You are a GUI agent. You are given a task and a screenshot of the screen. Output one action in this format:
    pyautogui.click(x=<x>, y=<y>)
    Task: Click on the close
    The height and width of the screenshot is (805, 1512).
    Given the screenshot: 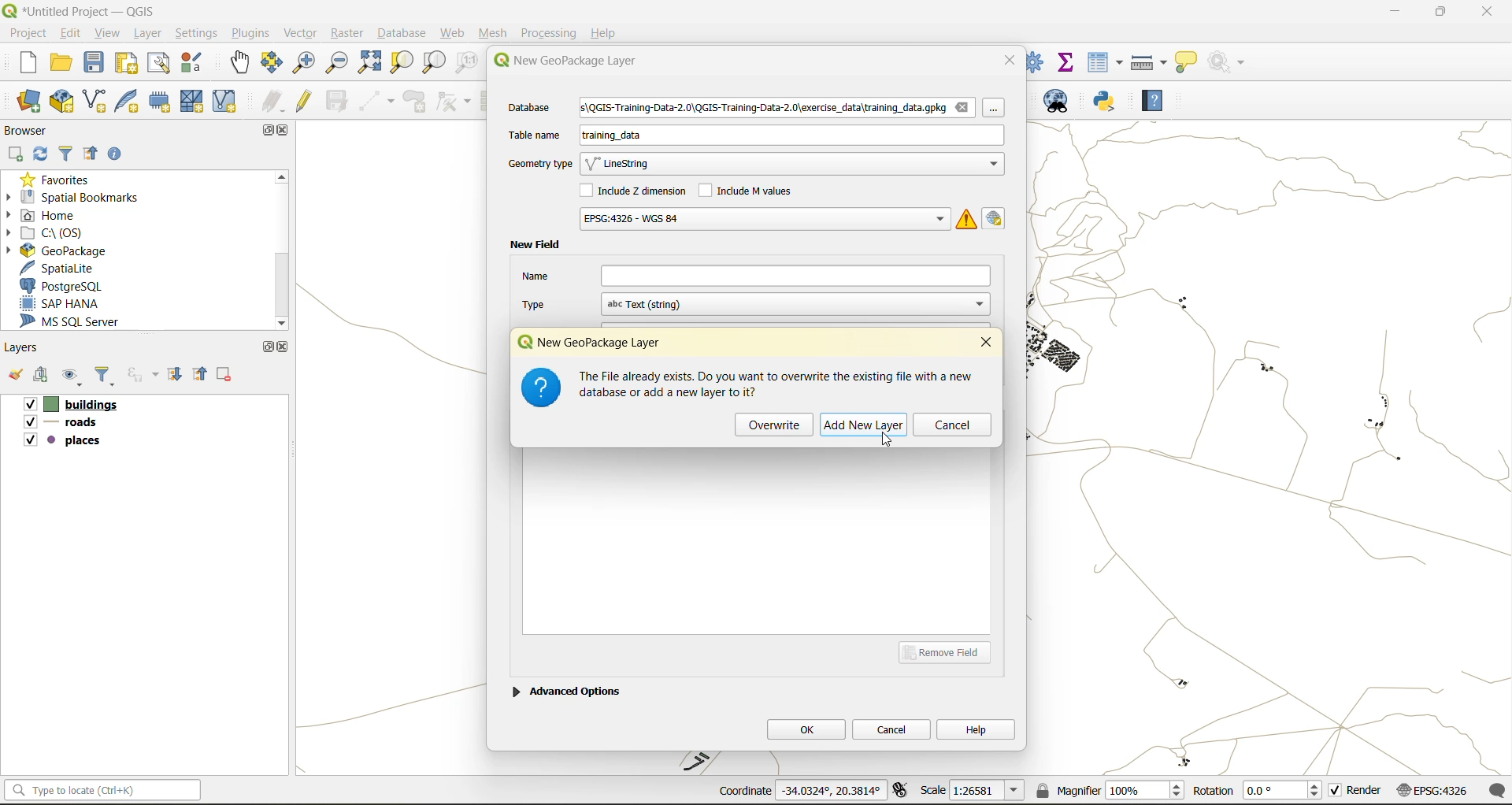 What is the action you would take?
    pyautogui.click(x=1479, y=13)
    